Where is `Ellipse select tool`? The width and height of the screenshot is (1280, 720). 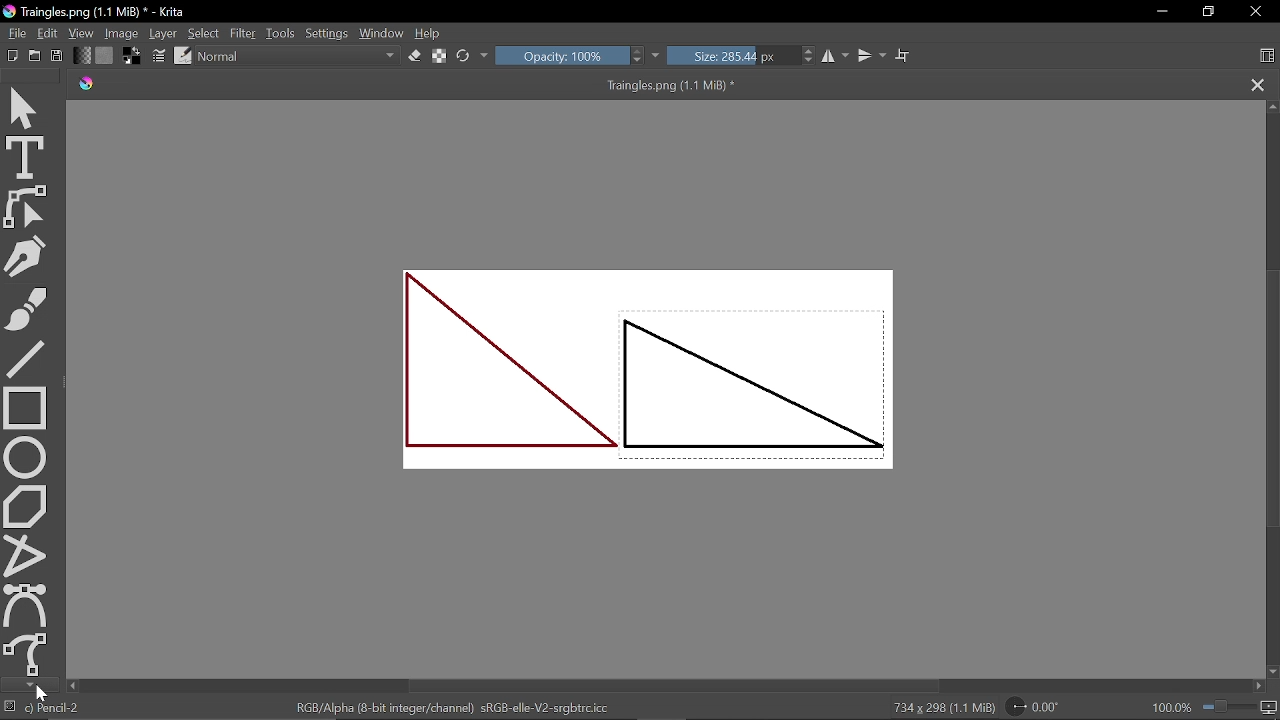
Ellipse select tool is located at coordinates (27, 457).